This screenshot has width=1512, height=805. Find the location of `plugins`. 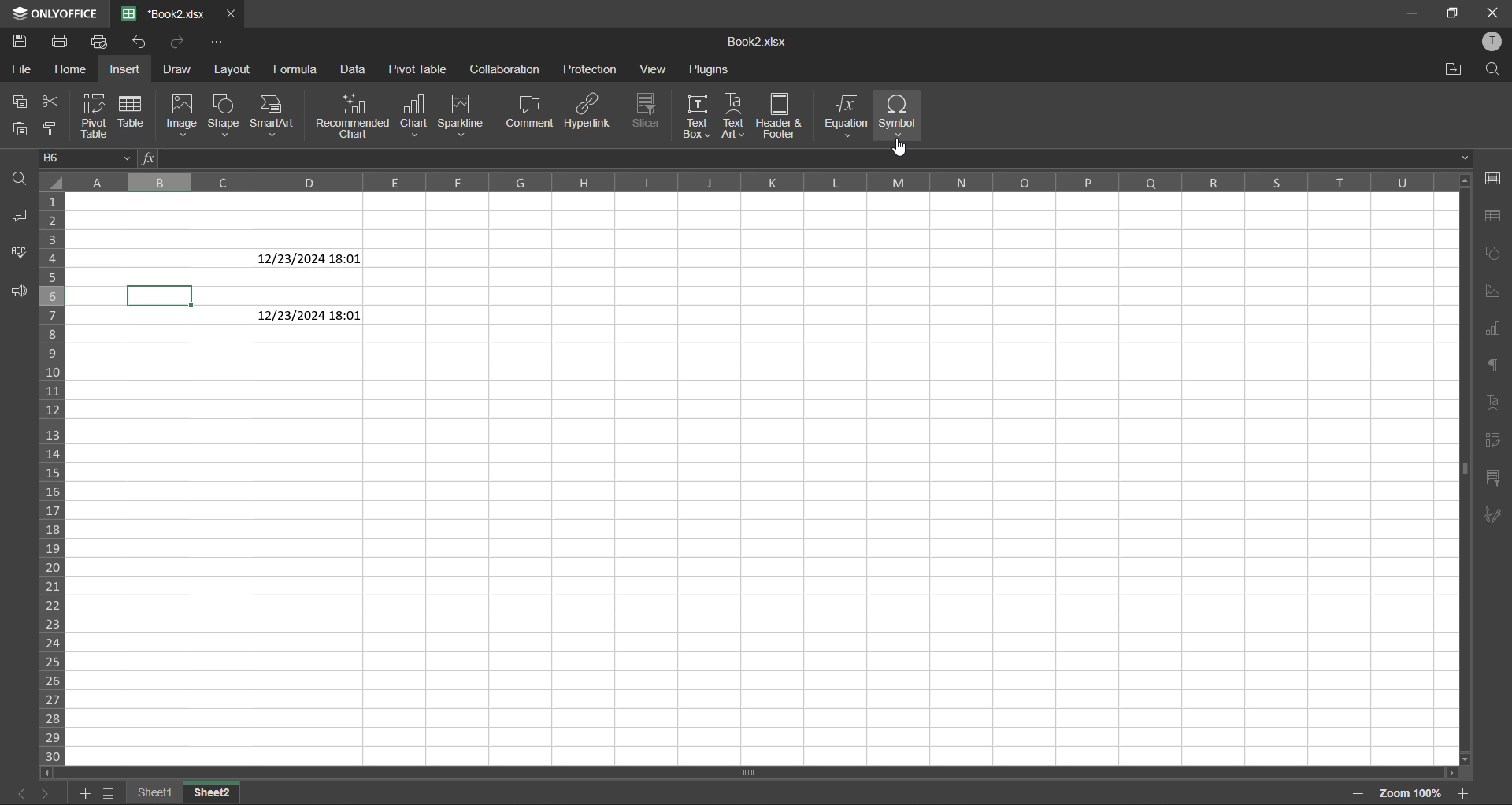

plugins is located at coordinates (709, 69).